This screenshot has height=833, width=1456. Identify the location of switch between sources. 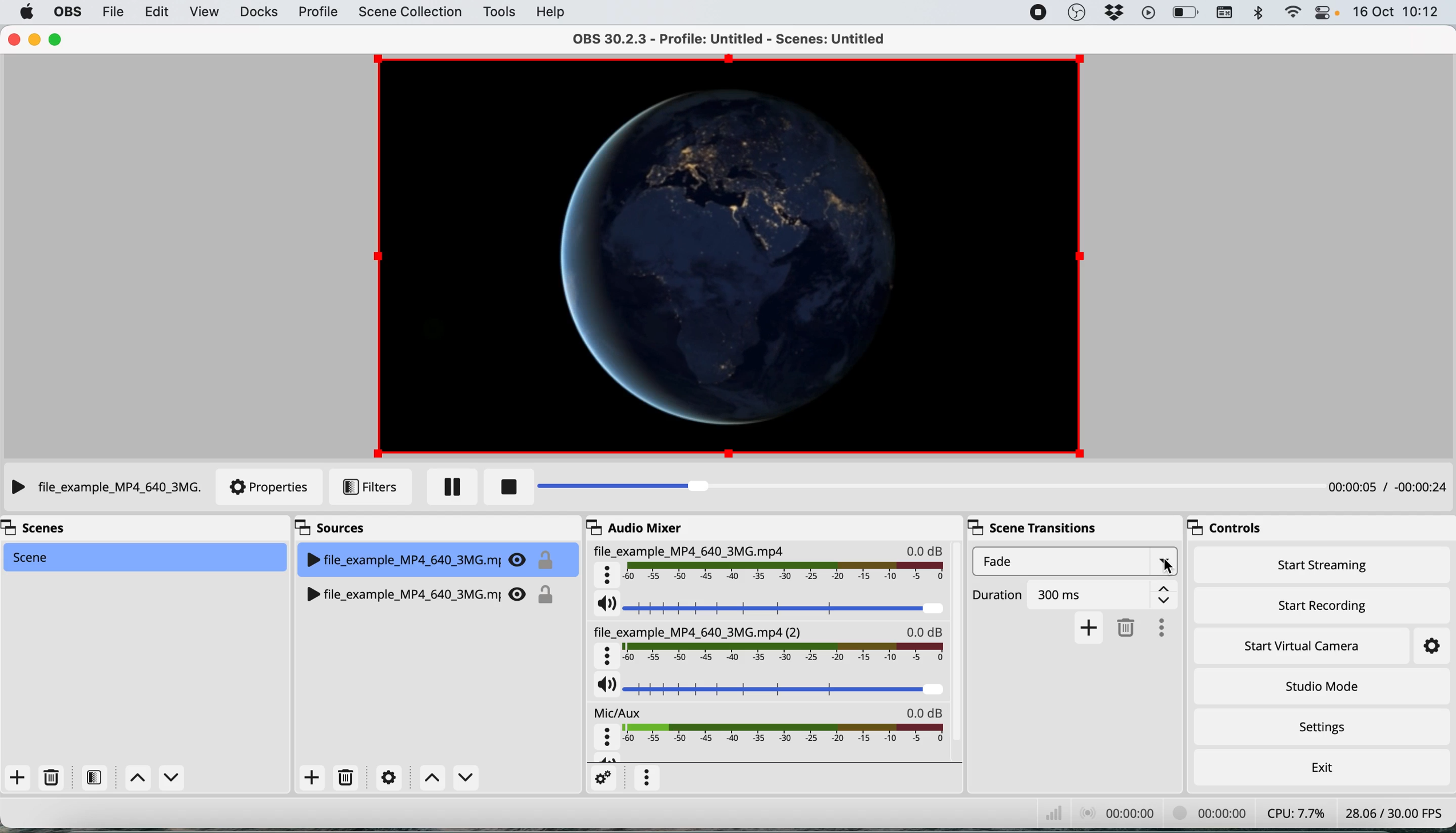
(430, 777).